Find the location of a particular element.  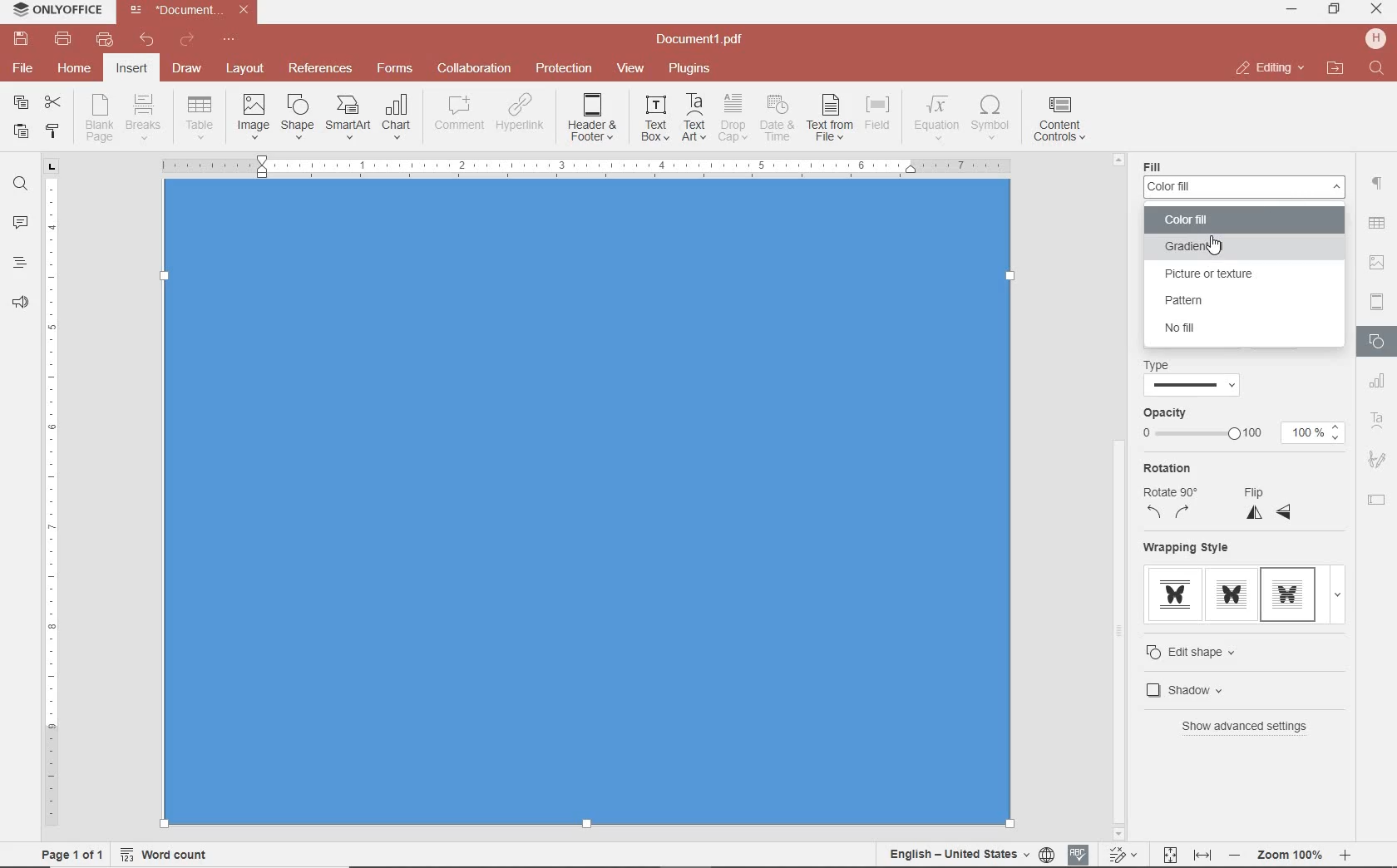

close is located at coordinates (1269, 68).